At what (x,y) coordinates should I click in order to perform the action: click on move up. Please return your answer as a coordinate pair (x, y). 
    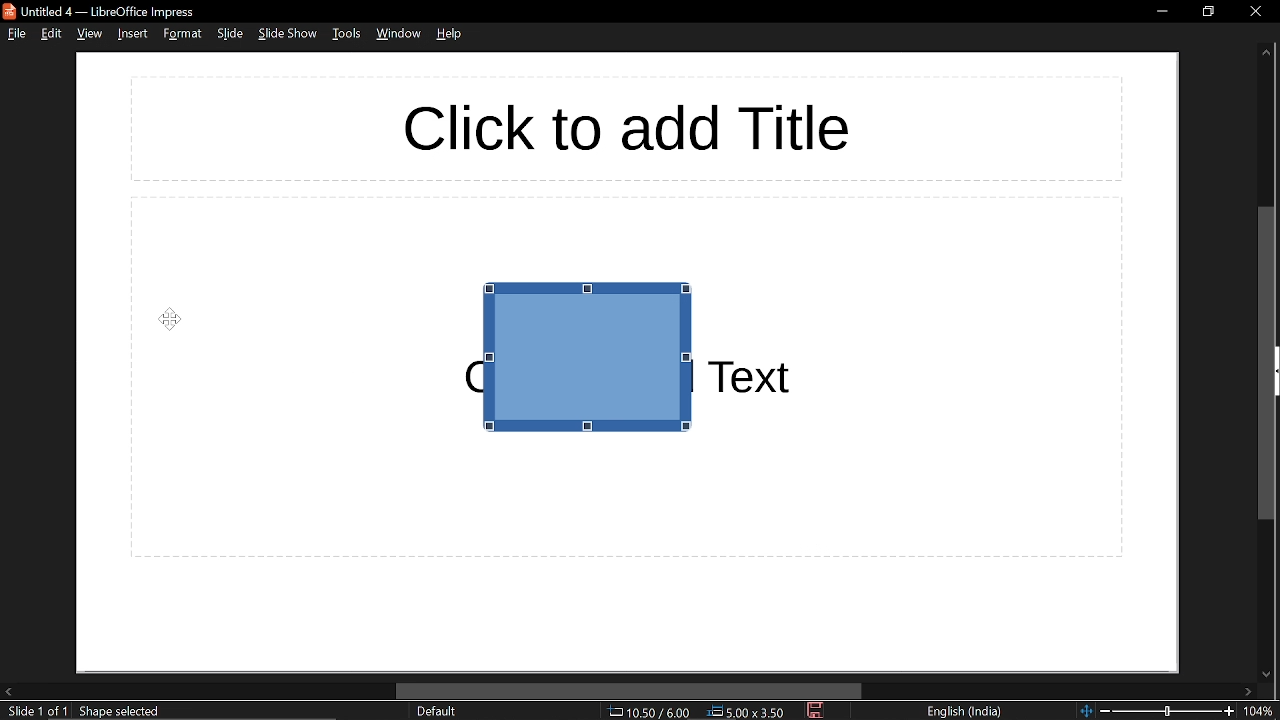
    Looking at the image, I should click on (1266, 53).